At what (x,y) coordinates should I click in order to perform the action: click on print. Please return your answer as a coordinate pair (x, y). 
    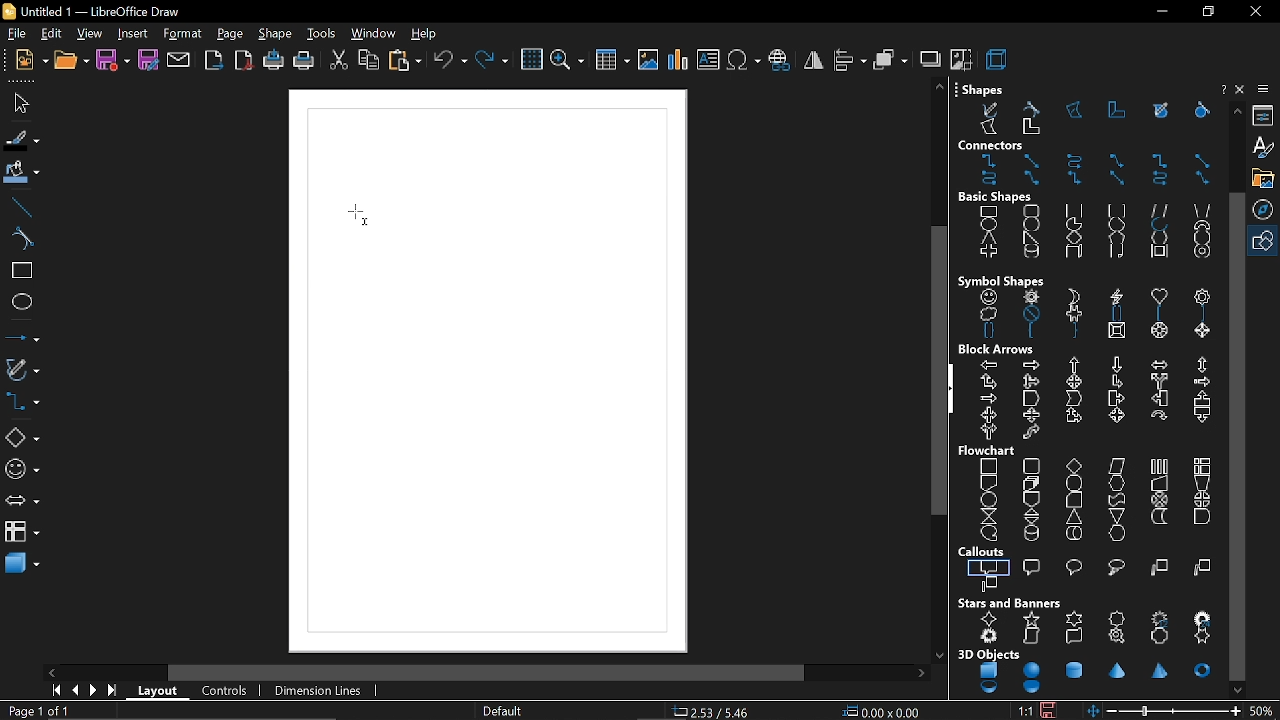
    Looking at the image, I should click on (305, 62).